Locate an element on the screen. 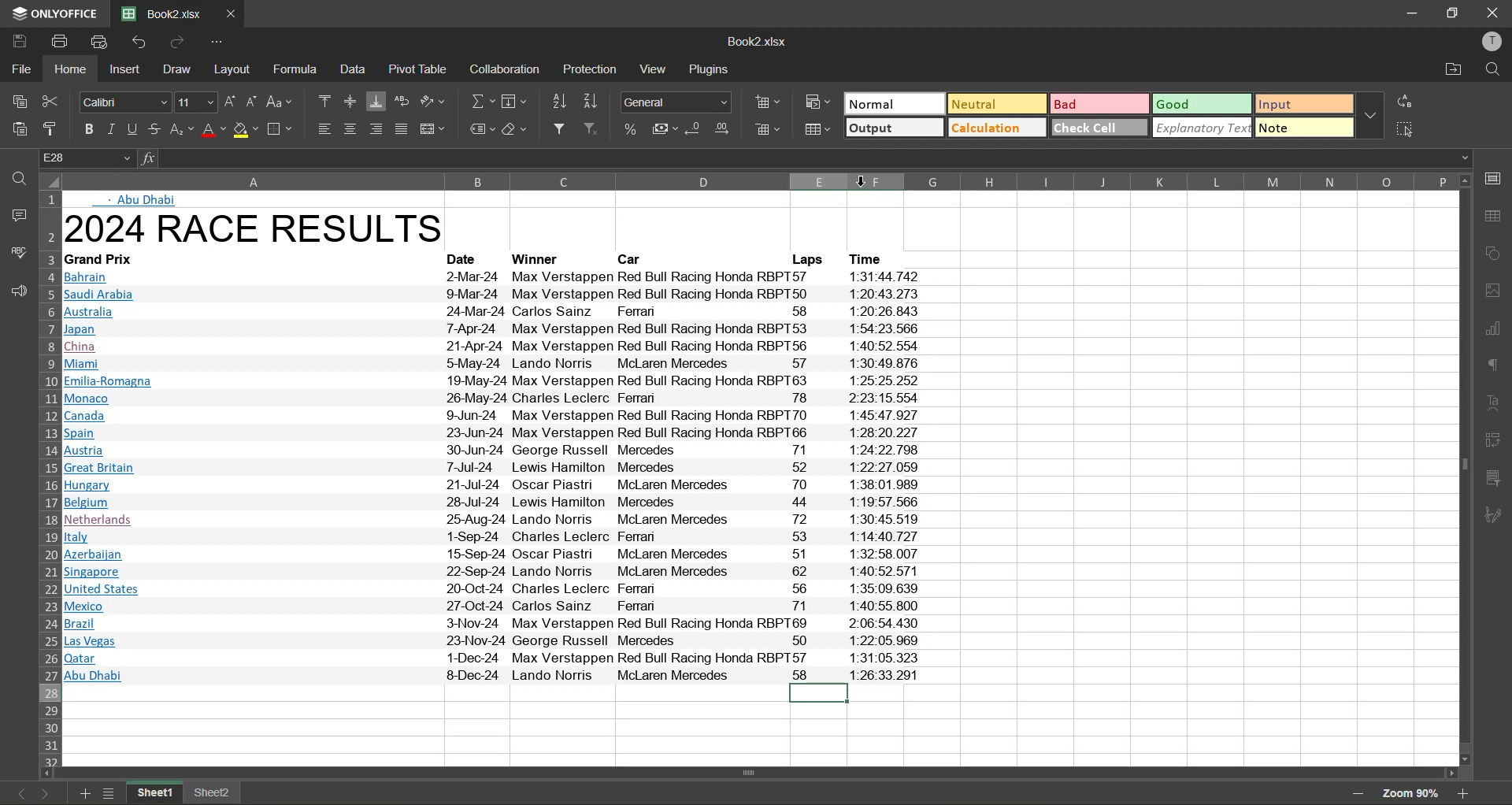 The width and height of the screenshot is (1512, 805). align middle is located at coordinates (350, 100).